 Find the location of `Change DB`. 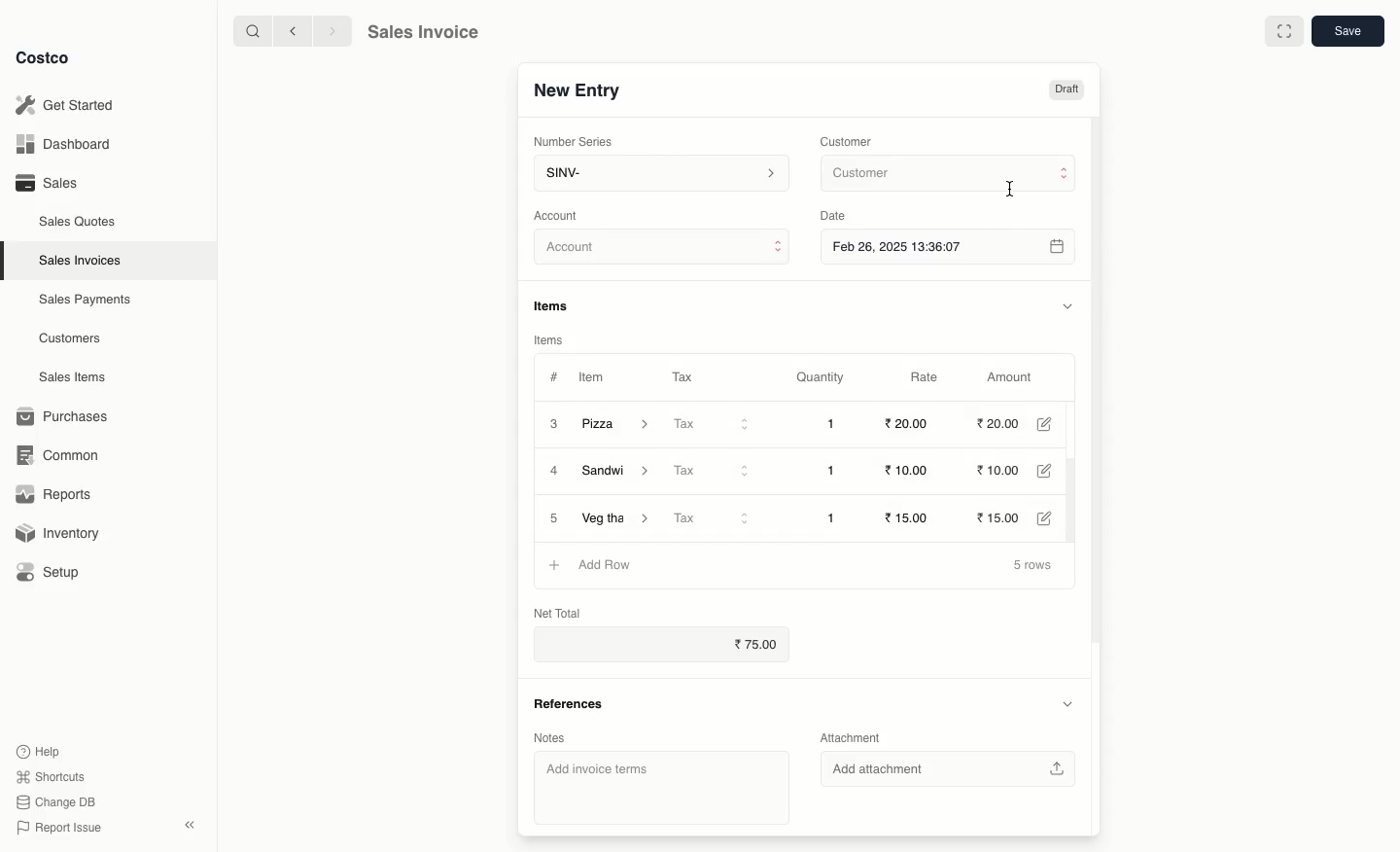

Change DB is located at coordinates (52, 800).